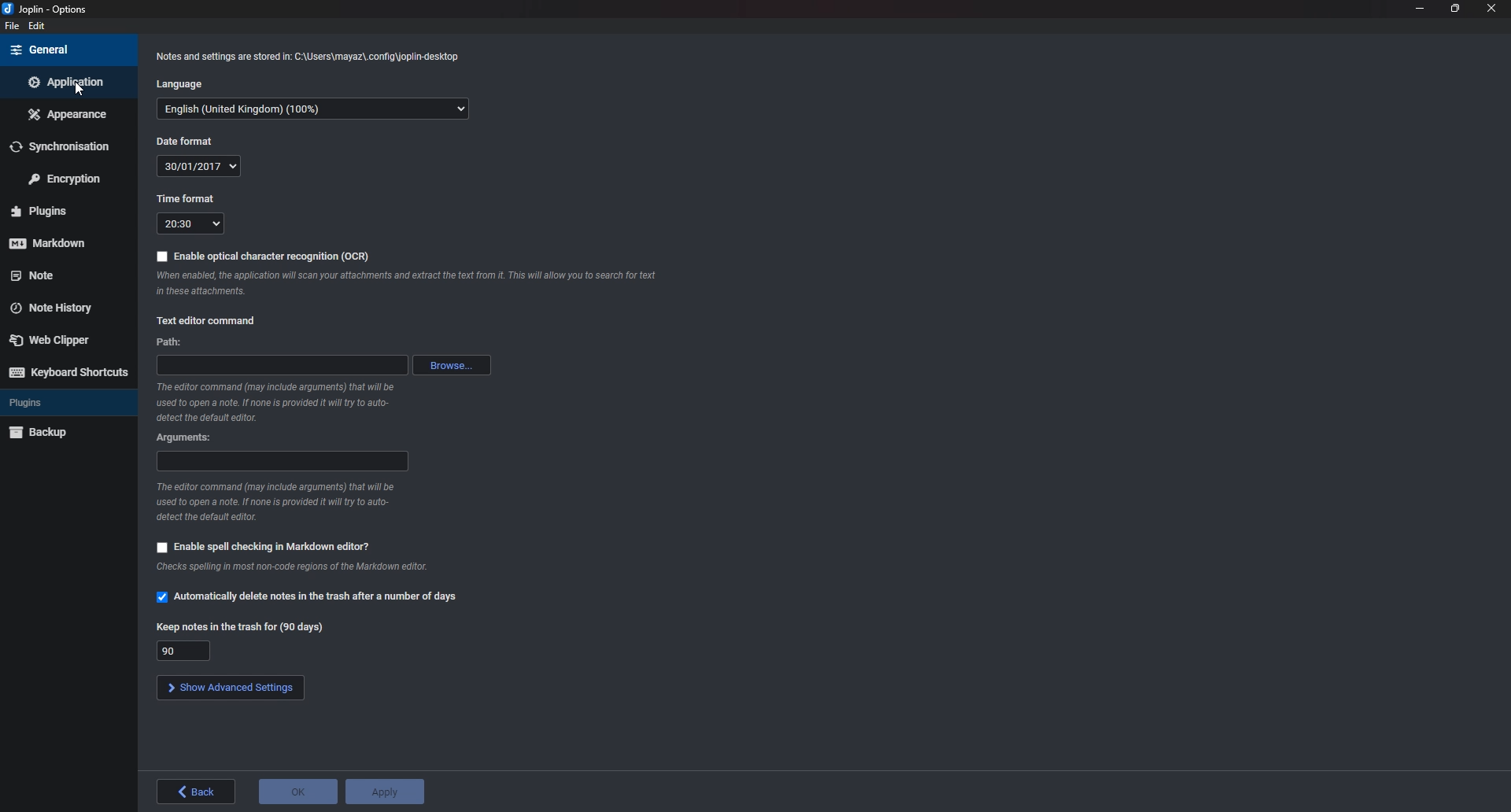 The height and width of the screenshot is (812, 1511). Describe the element at coordinates (184, 651) in the screenshot. I see `Keep notes in the trash for` at that location.